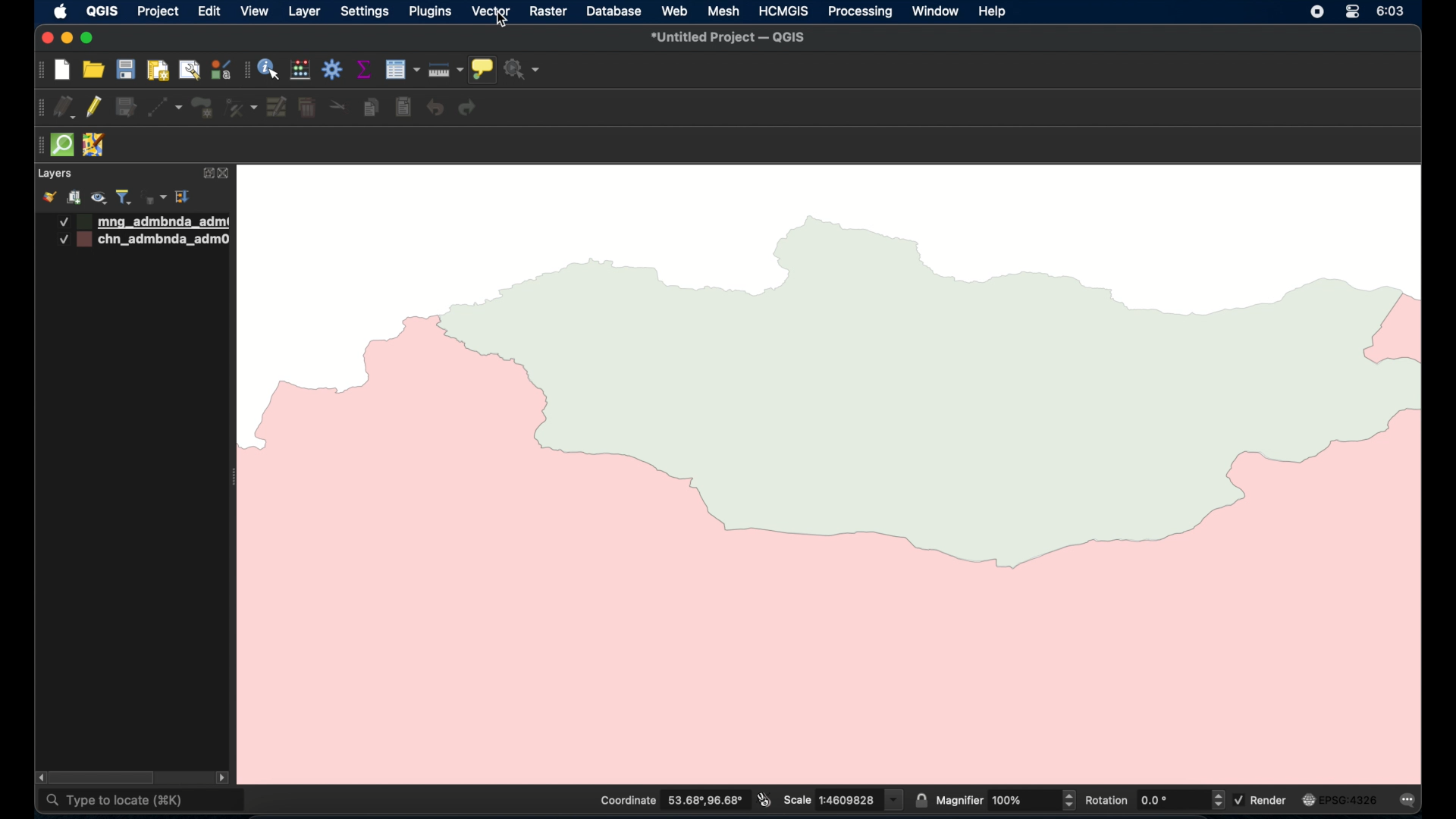 The width and height of the screenshot is (1456, 819). I want to click on measure line, so click(446, 70).